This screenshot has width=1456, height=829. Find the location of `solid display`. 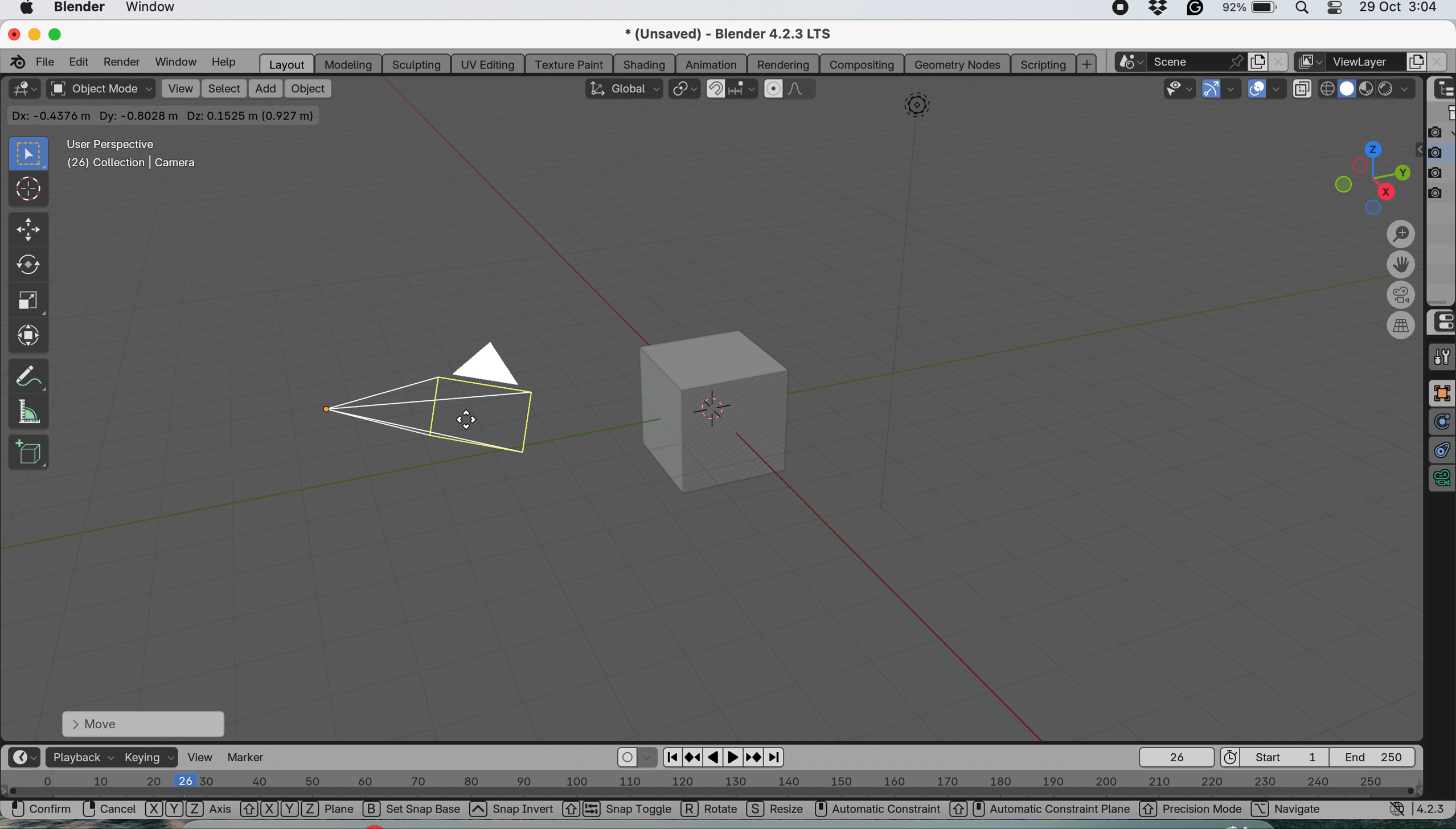

solid display is located at coordinates (1328, 85).